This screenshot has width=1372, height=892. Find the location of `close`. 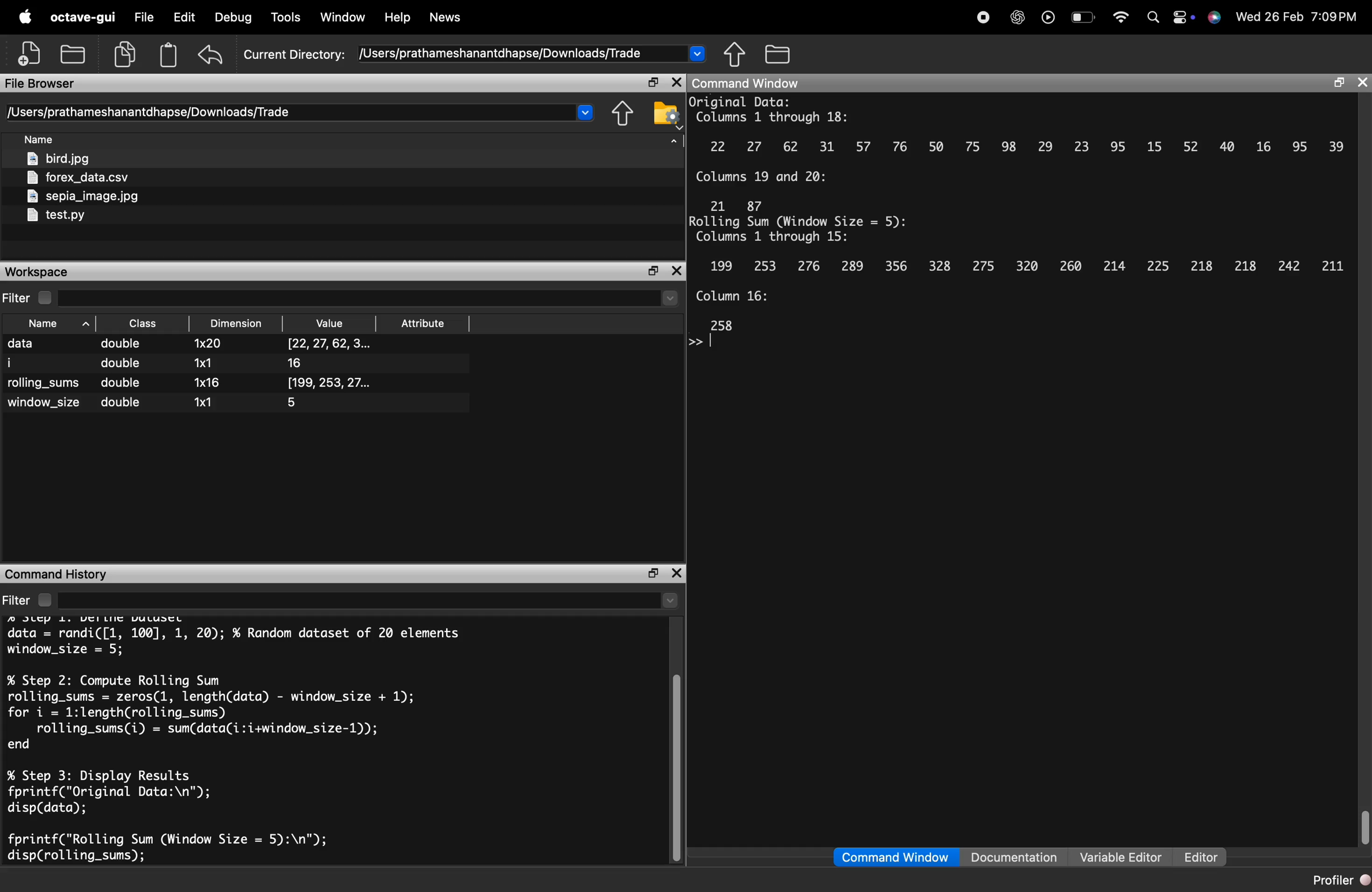

close is located at coordinates (678, 573).